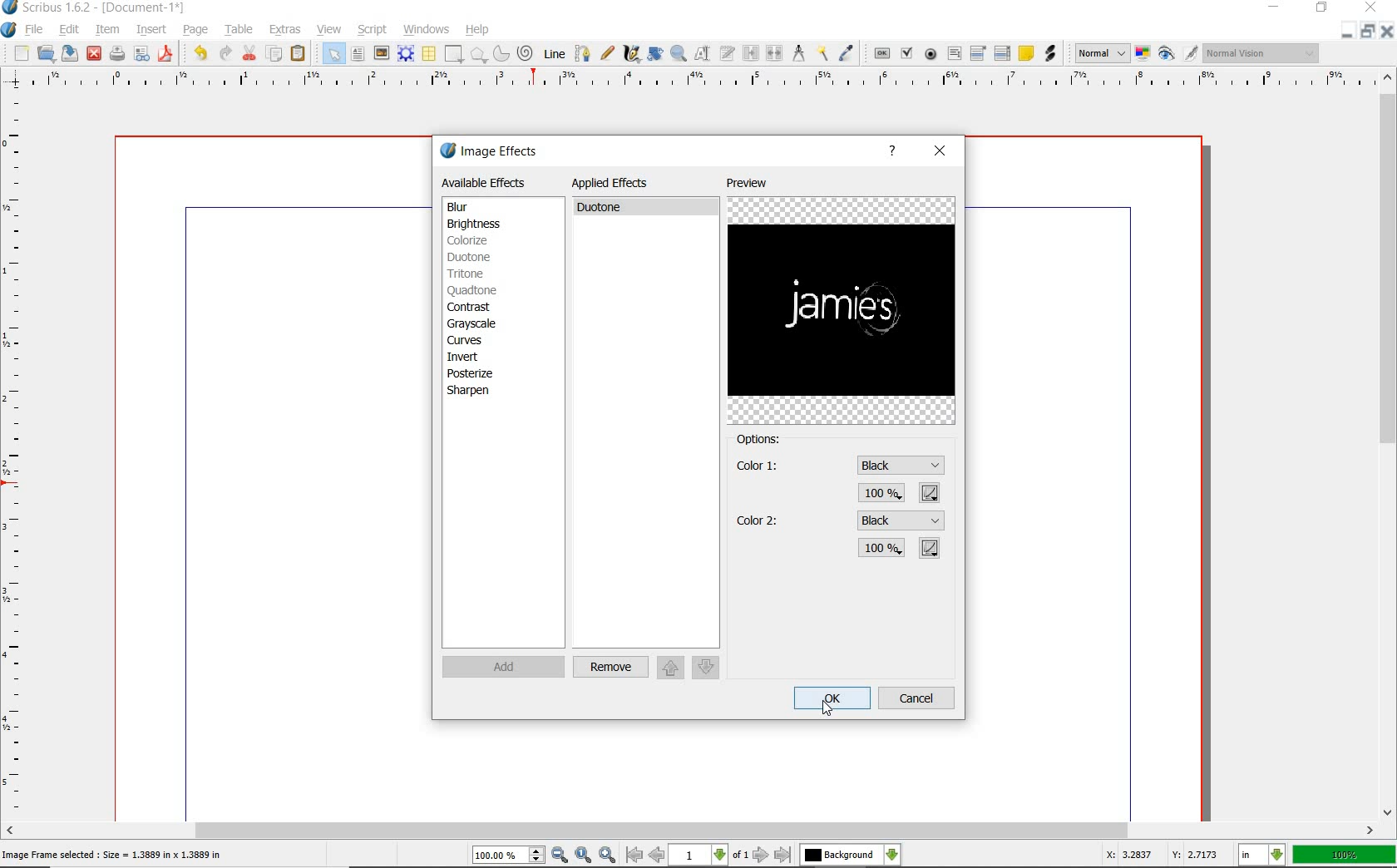 The height and width of the screenshot is (868, 1397). I want to click on duotone, so click(483, 259).